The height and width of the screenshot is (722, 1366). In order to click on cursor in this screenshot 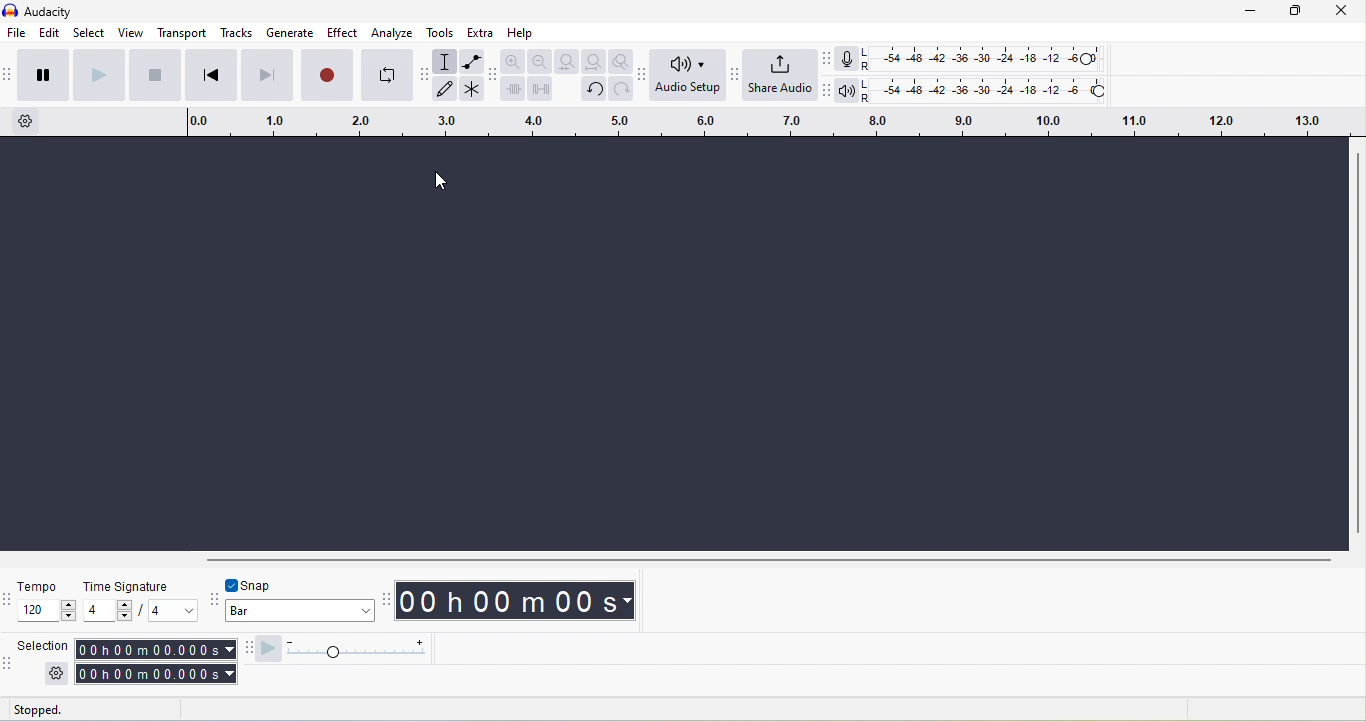, I will do `click(440, 180)`.